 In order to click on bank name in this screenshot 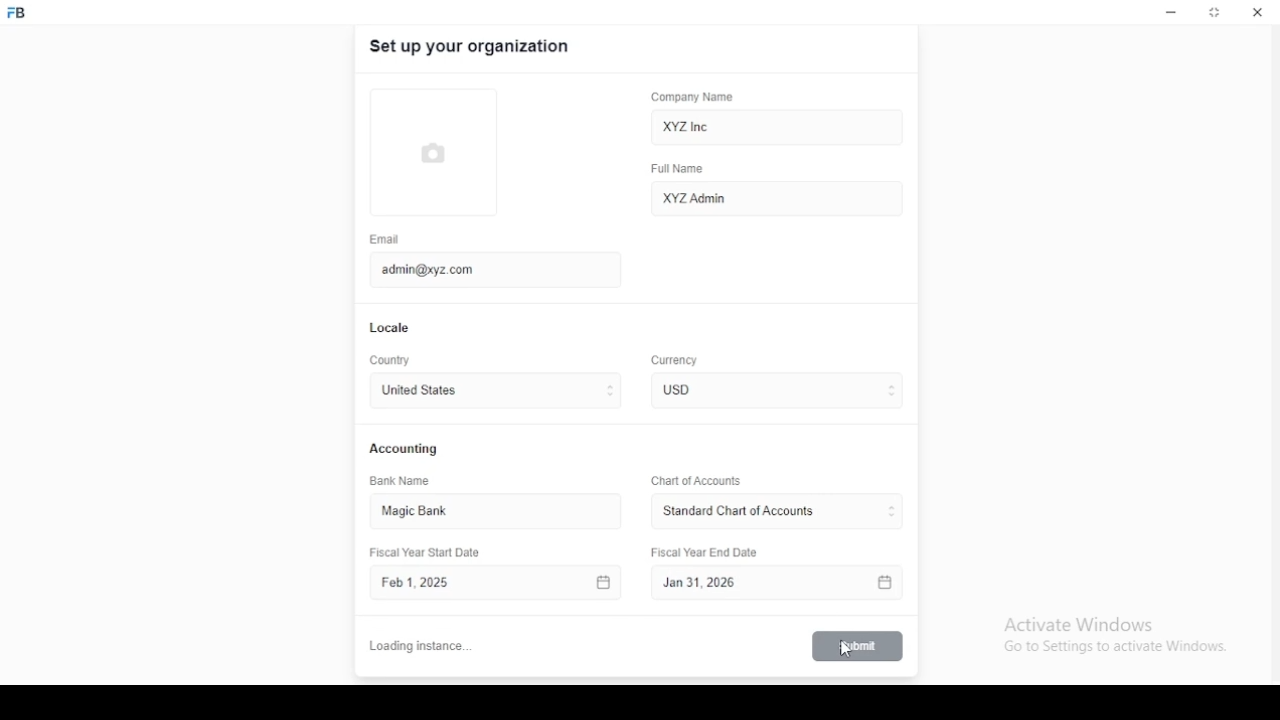, I will do `click(401, 481)`.